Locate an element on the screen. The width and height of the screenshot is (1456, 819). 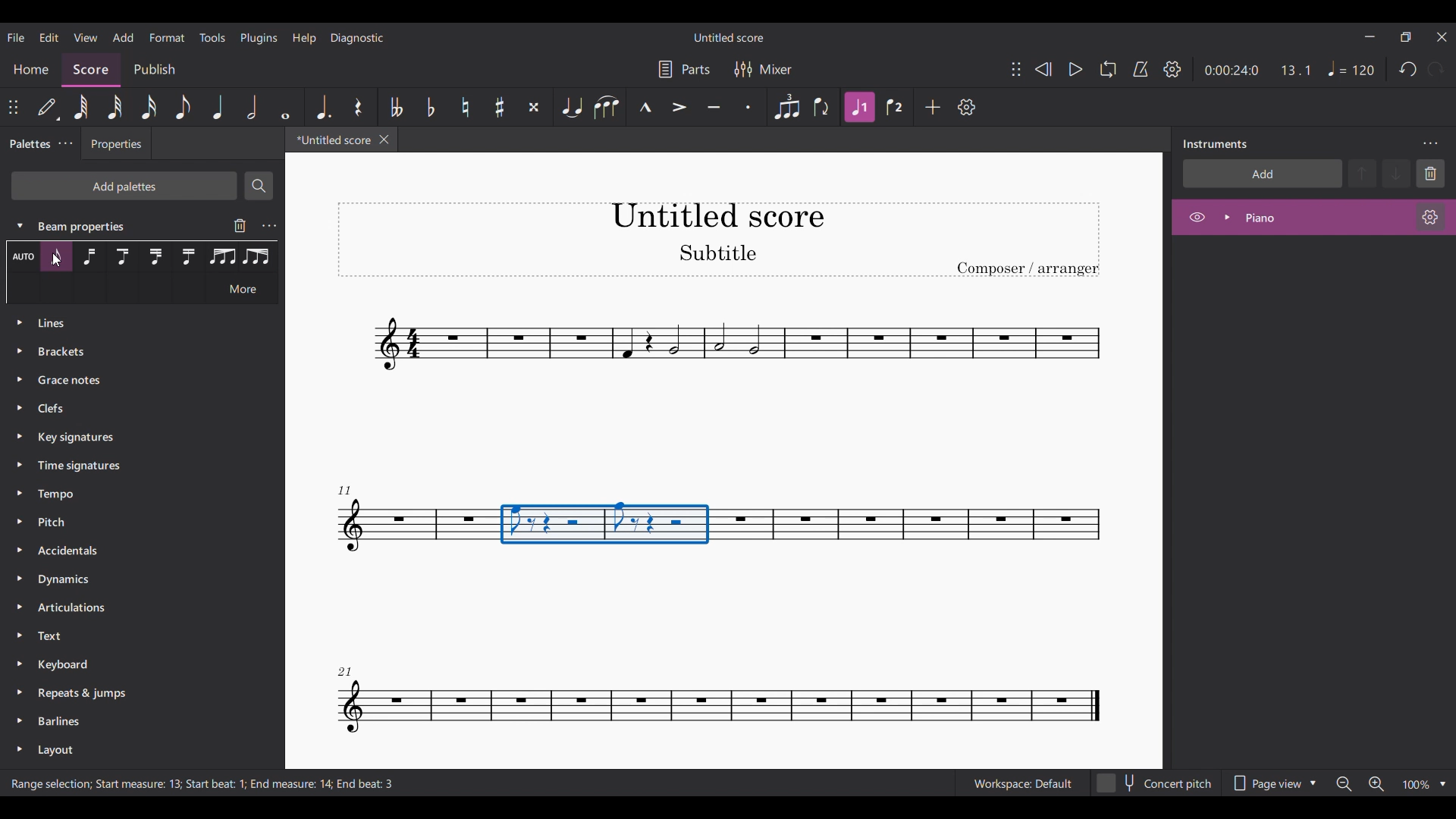
Undo is located at coordinates (1409, 69).